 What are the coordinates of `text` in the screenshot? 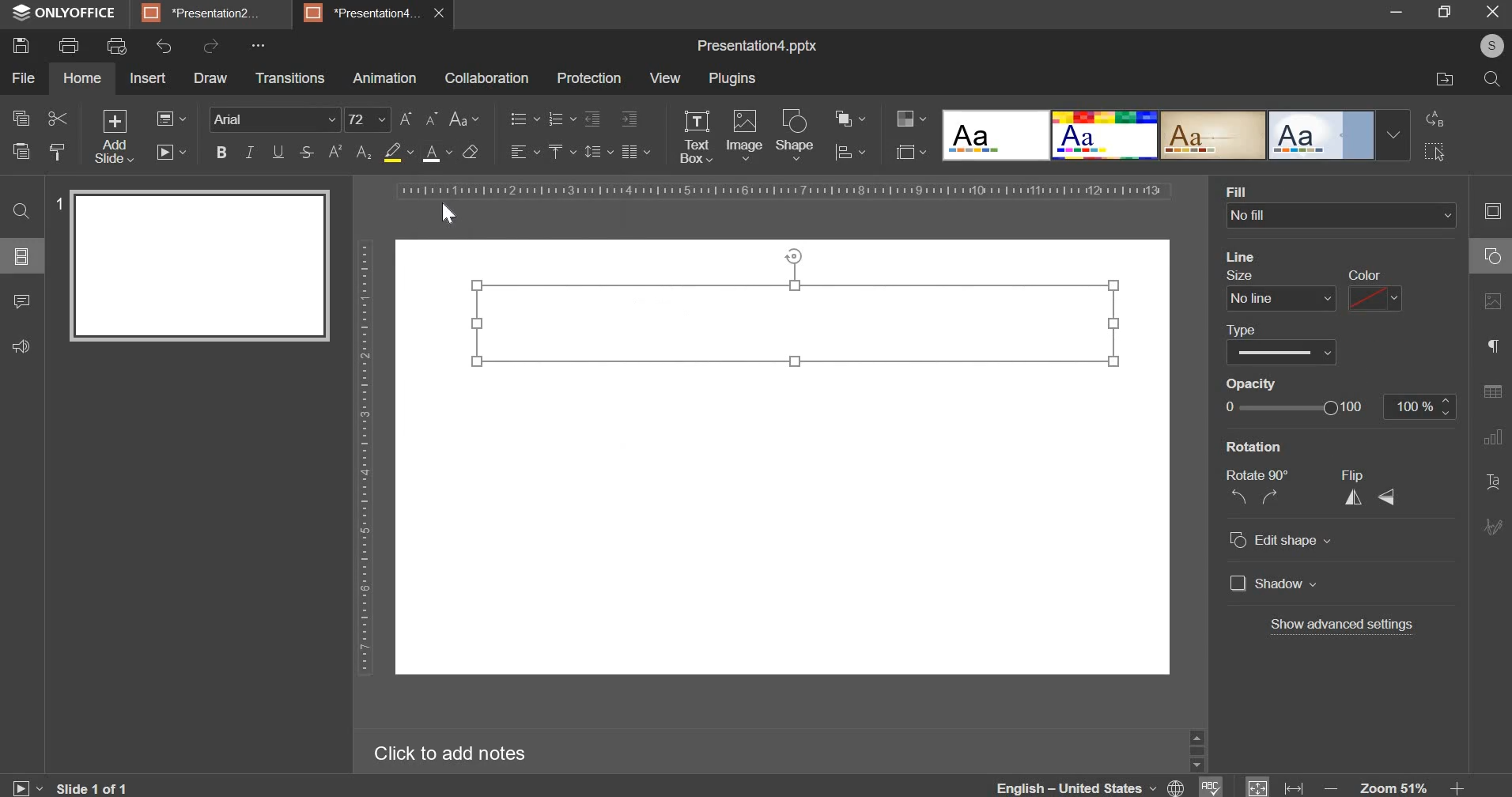 It's located at (1493, 483).